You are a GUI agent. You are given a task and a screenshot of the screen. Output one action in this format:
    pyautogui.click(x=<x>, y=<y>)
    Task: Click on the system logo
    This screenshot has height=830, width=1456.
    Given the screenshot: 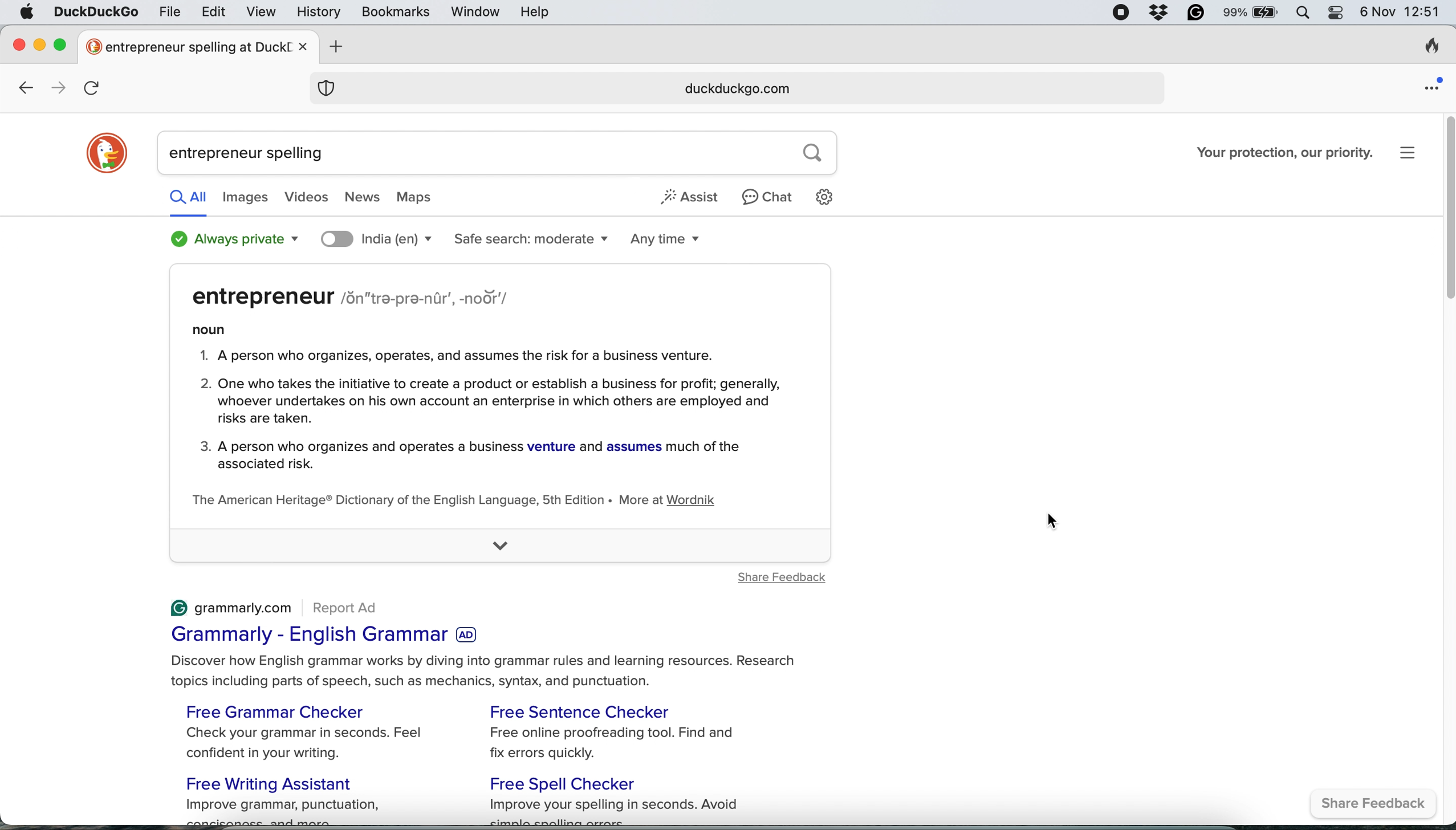 What is the action you would take?
    pyautogui.click(x=30, y=13)
    